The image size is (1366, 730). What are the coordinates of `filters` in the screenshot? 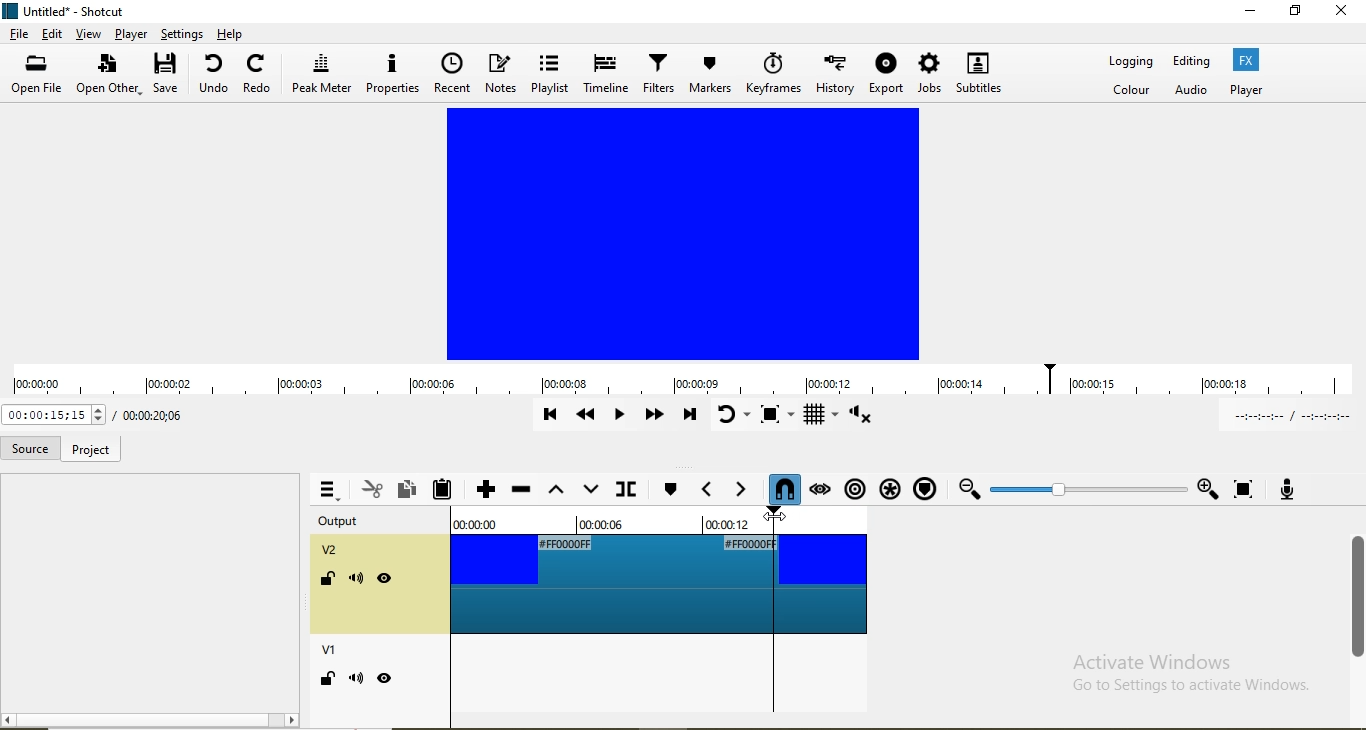 It's located at (656, 72).